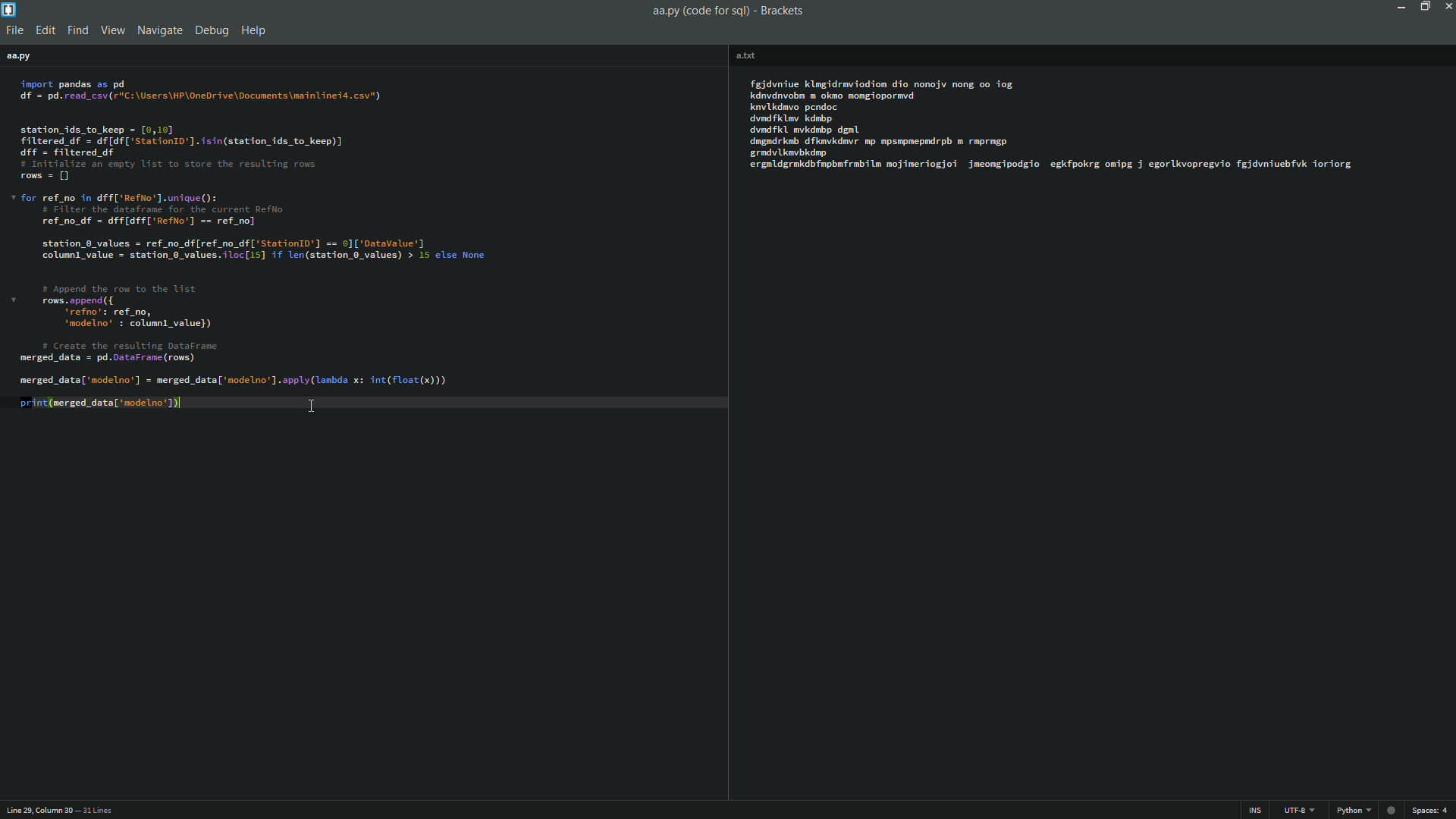 This screenshot has height=819, width=1456. I want to click on code editor, so click(264, 257).